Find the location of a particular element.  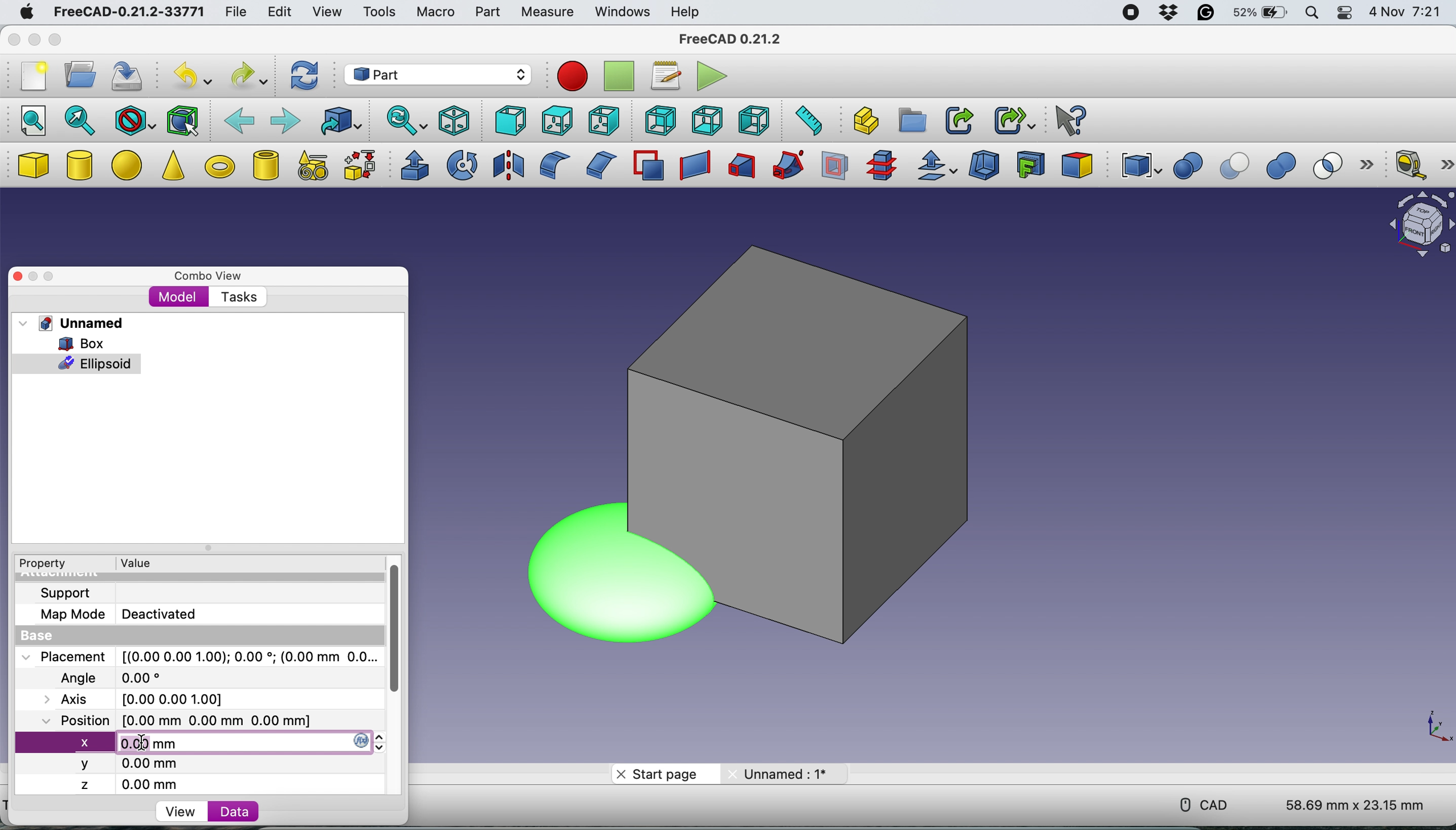

extrude is located at coordinates (411, 165).